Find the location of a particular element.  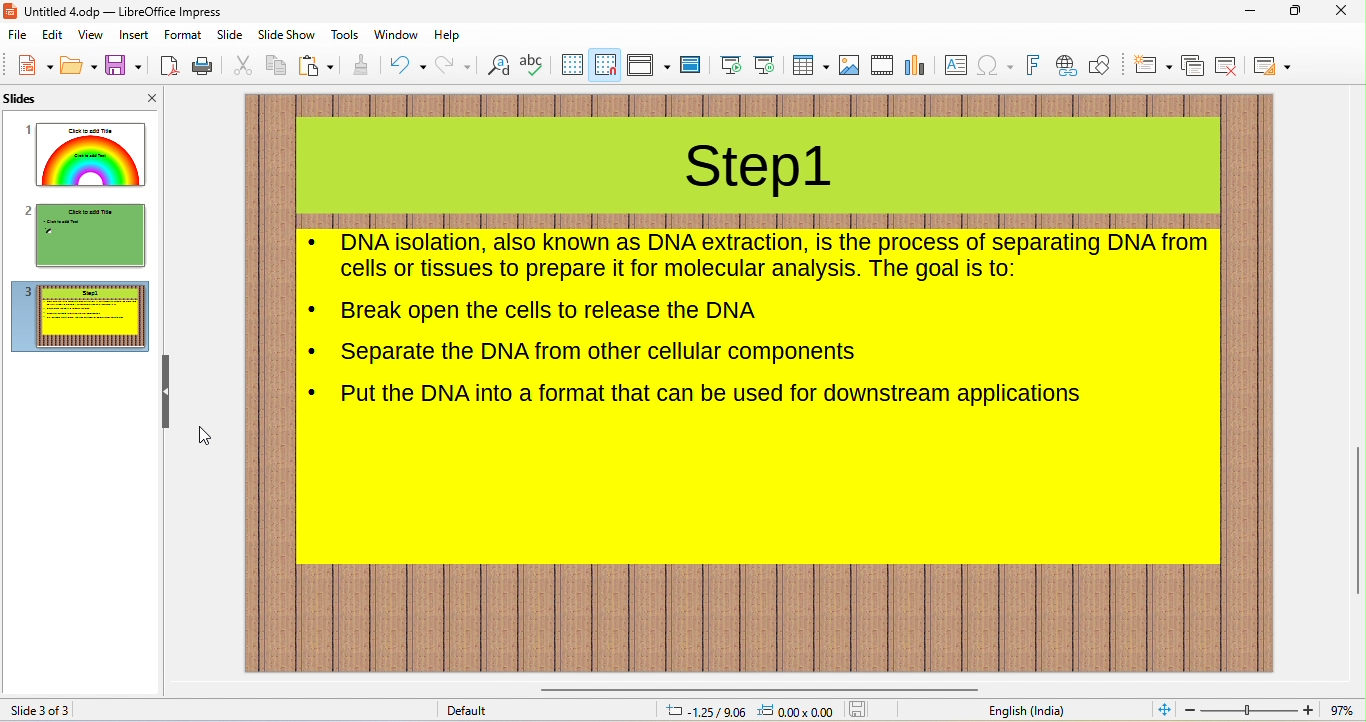

Dotted list is located at coordinates (313, 391).